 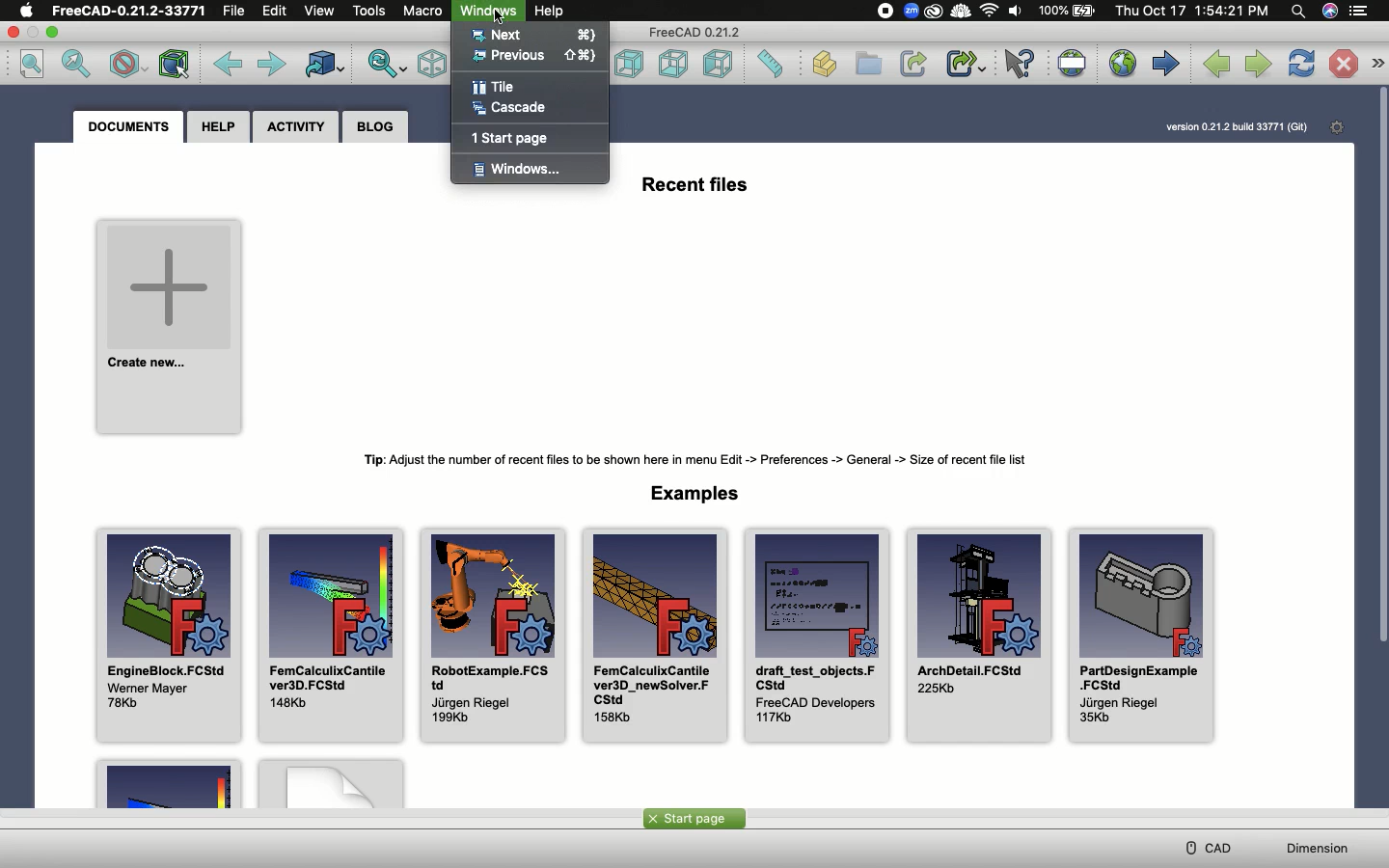 What do you see at coordinates (170, 636) in the screenshot?
I see `EngineBlock.FCStd` at bounding box center [170, 636].